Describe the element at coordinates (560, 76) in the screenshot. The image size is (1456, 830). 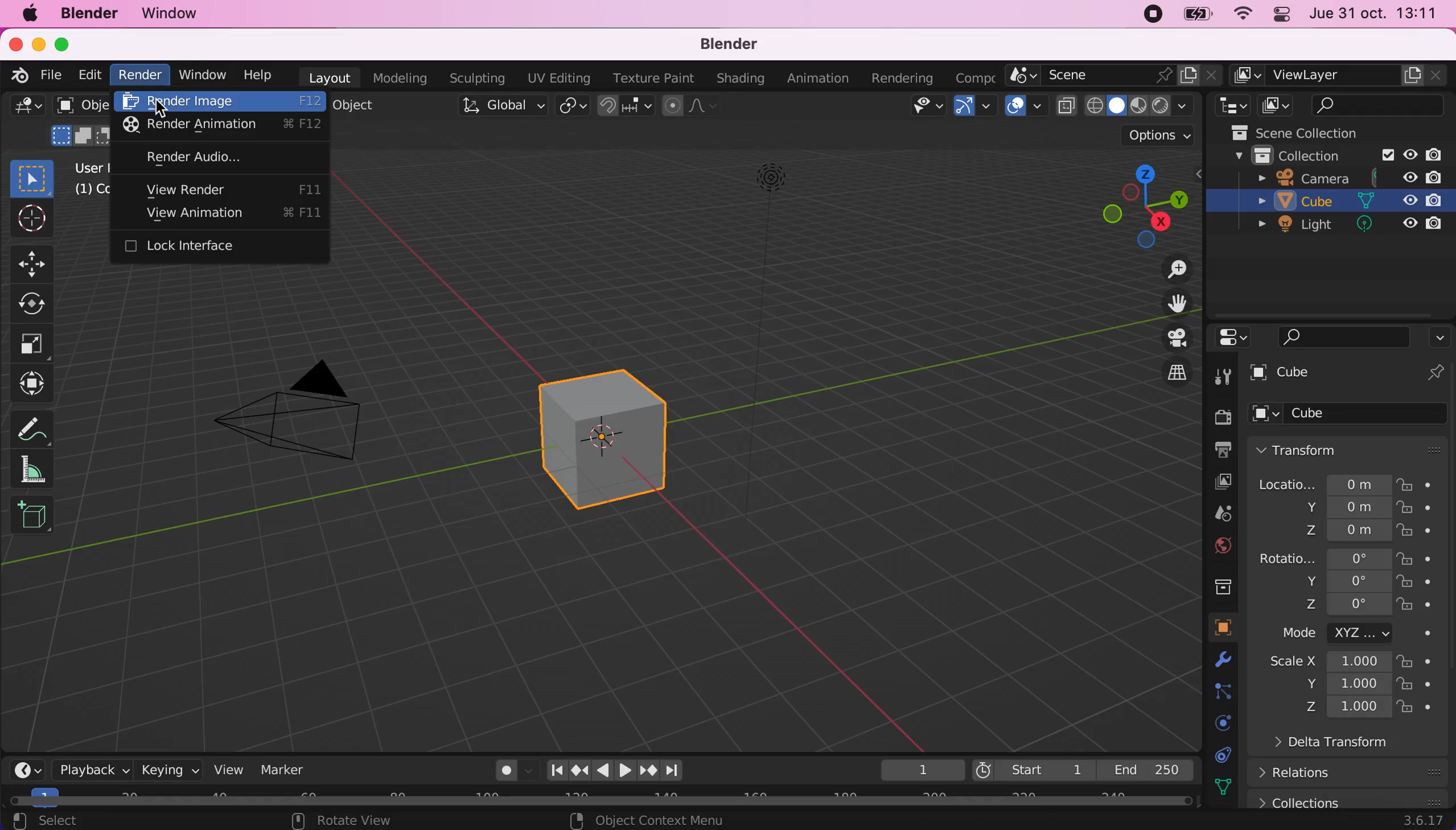
I see `uv editing` at that location.